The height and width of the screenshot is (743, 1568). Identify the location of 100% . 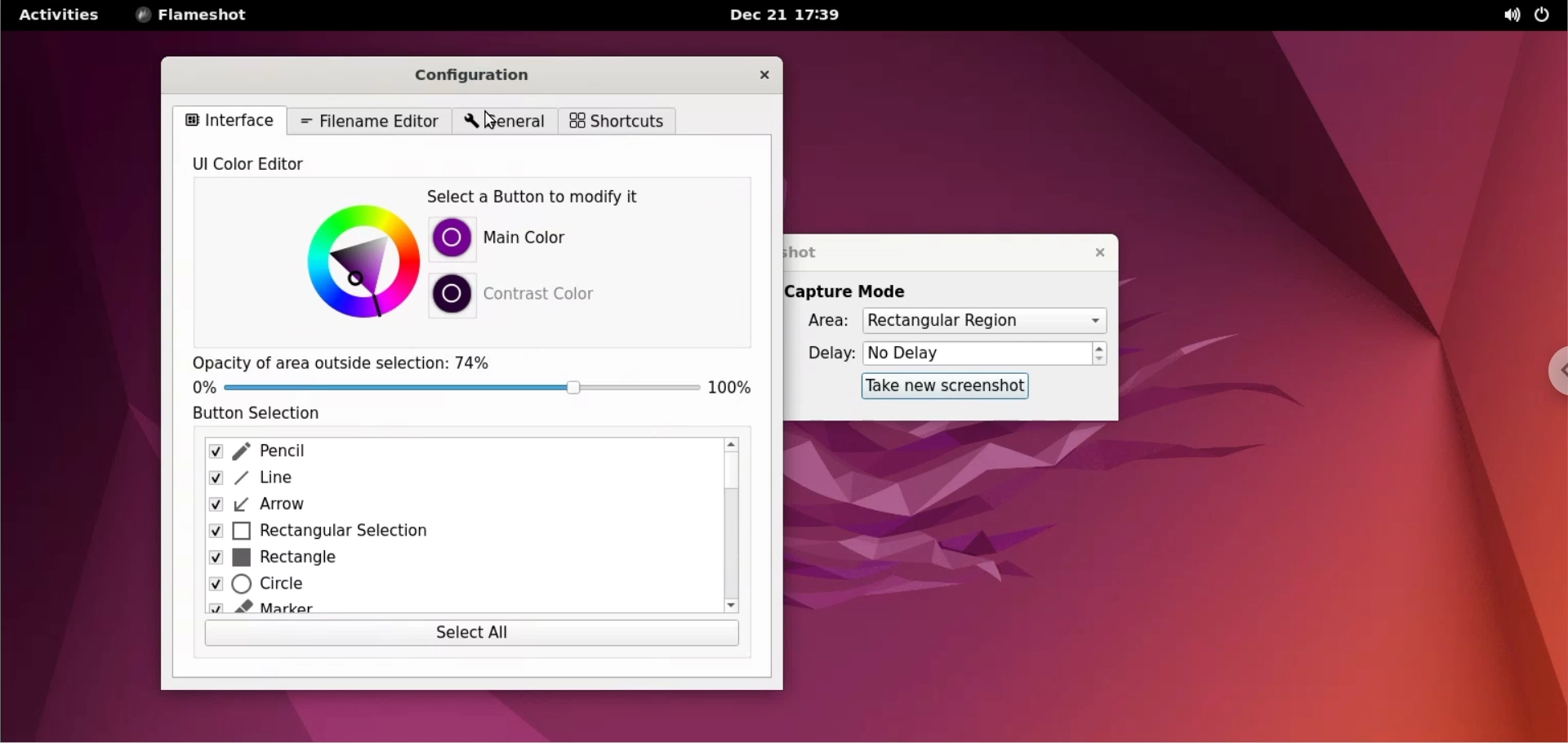
(733, 389).